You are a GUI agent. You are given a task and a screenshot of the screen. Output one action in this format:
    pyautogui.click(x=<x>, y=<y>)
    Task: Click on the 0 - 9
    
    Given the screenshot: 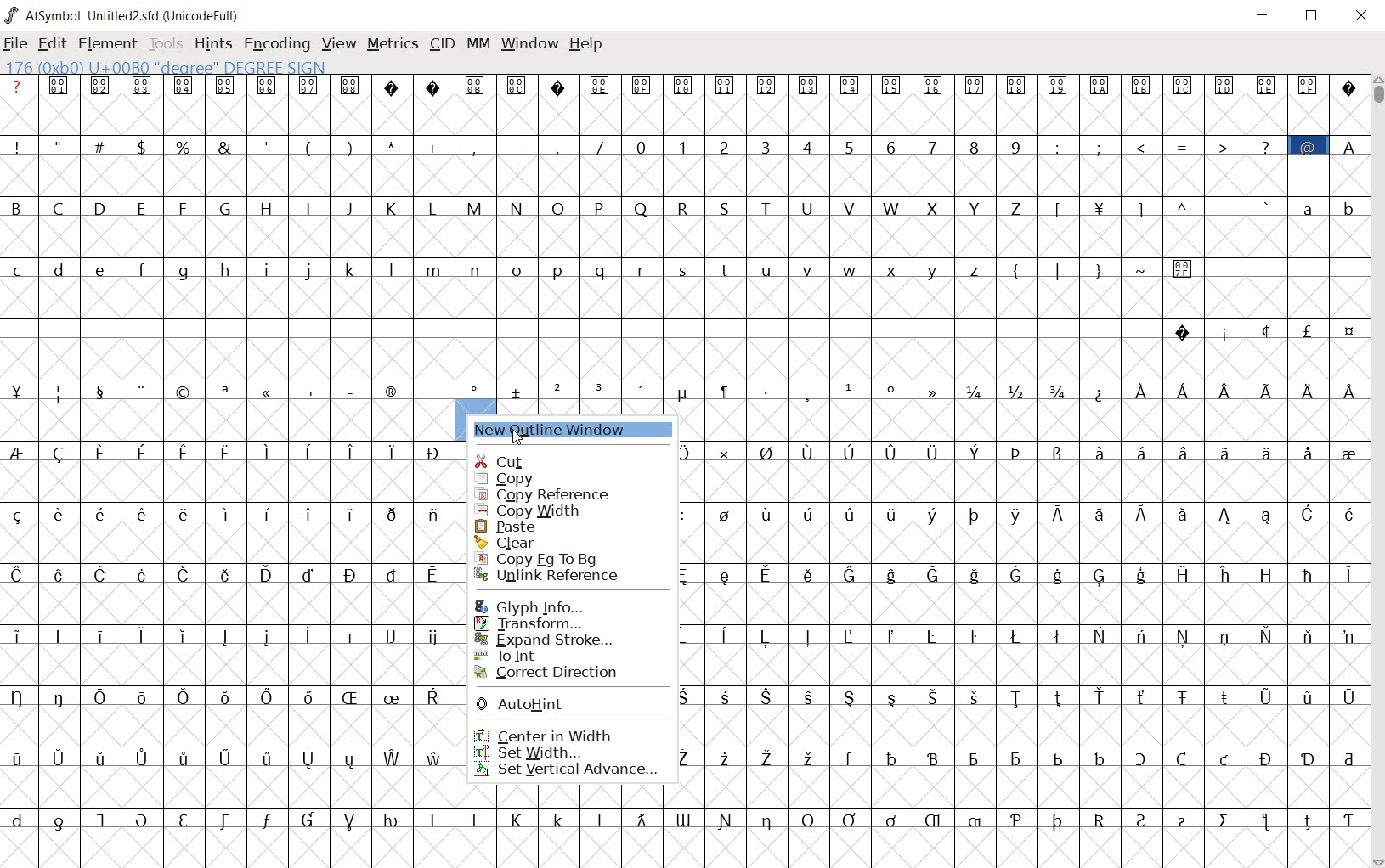 What is the action you would take?
    pyautogui.click(x=825, y=145)
    